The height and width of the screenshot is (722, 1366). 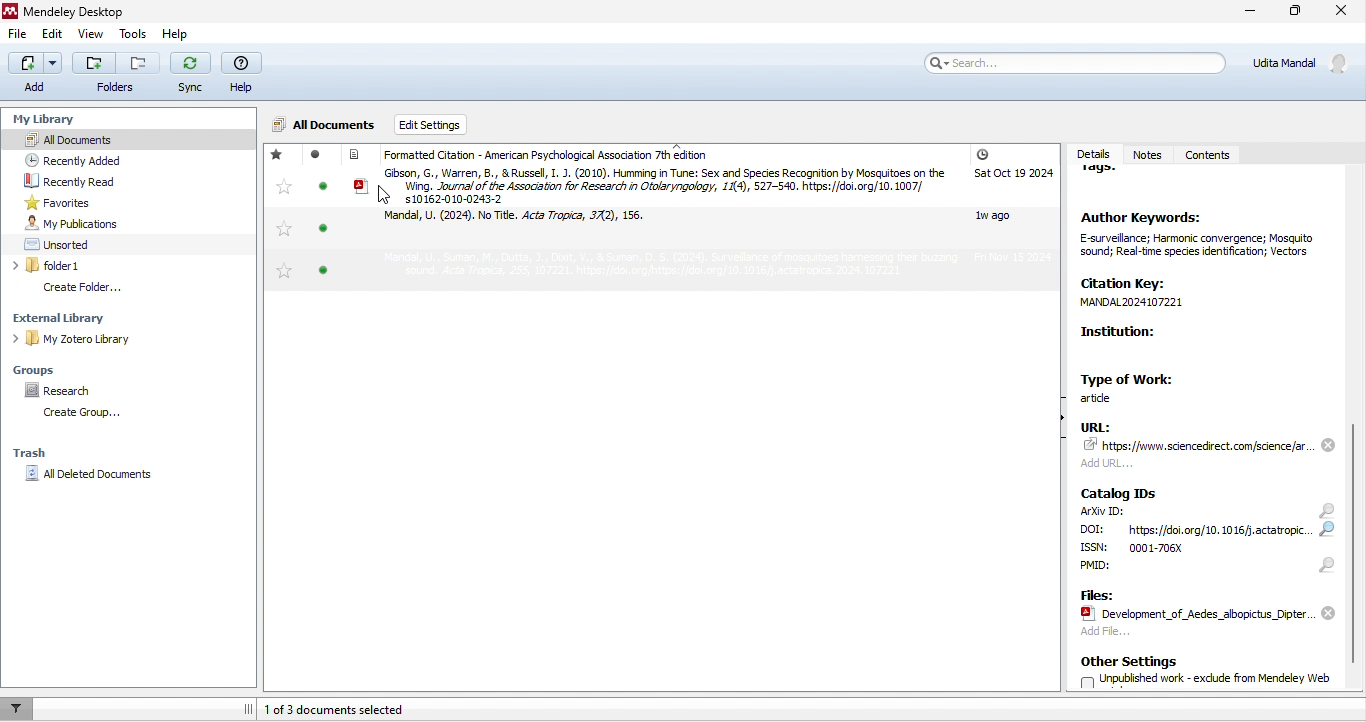 I want to click on contents, so click(x=1210, y=156).